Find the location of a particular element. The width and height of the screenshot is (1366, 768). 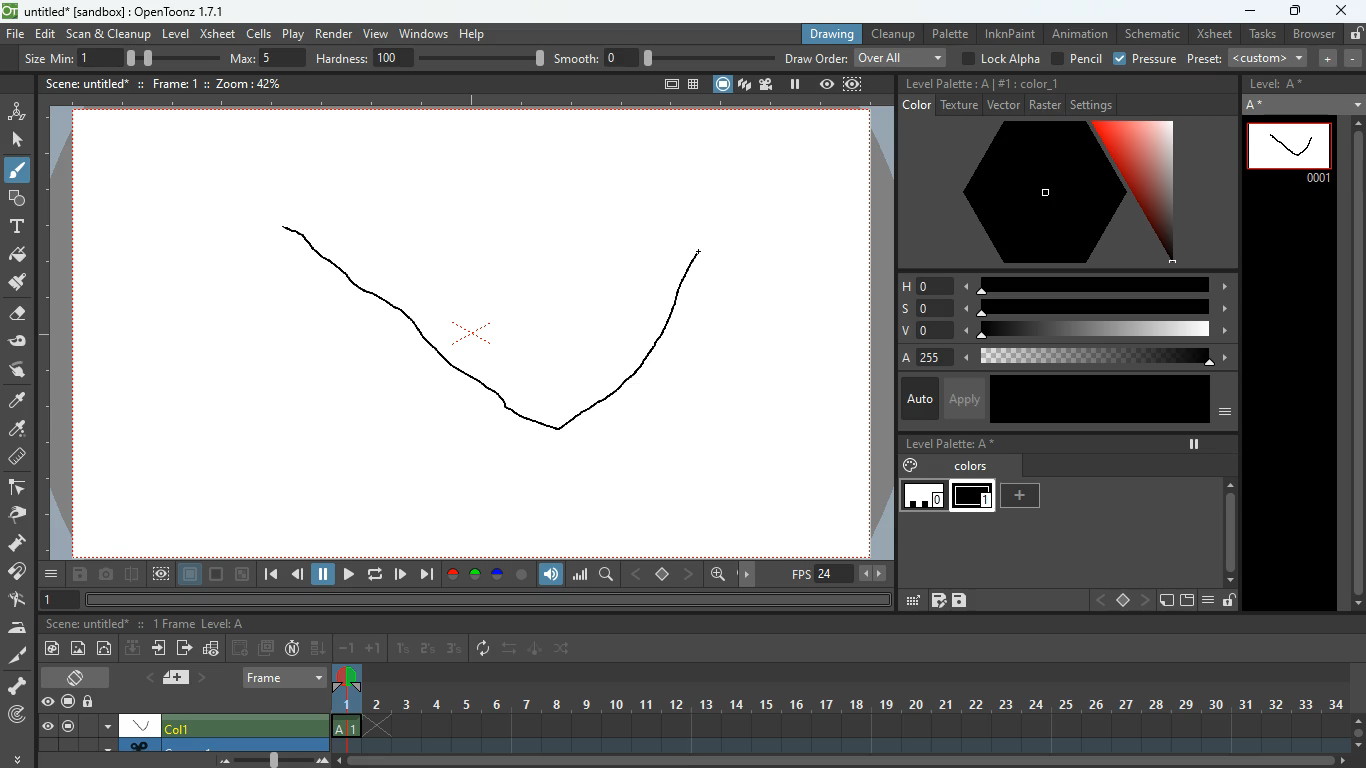

right is located at coordinates (1144, 601).